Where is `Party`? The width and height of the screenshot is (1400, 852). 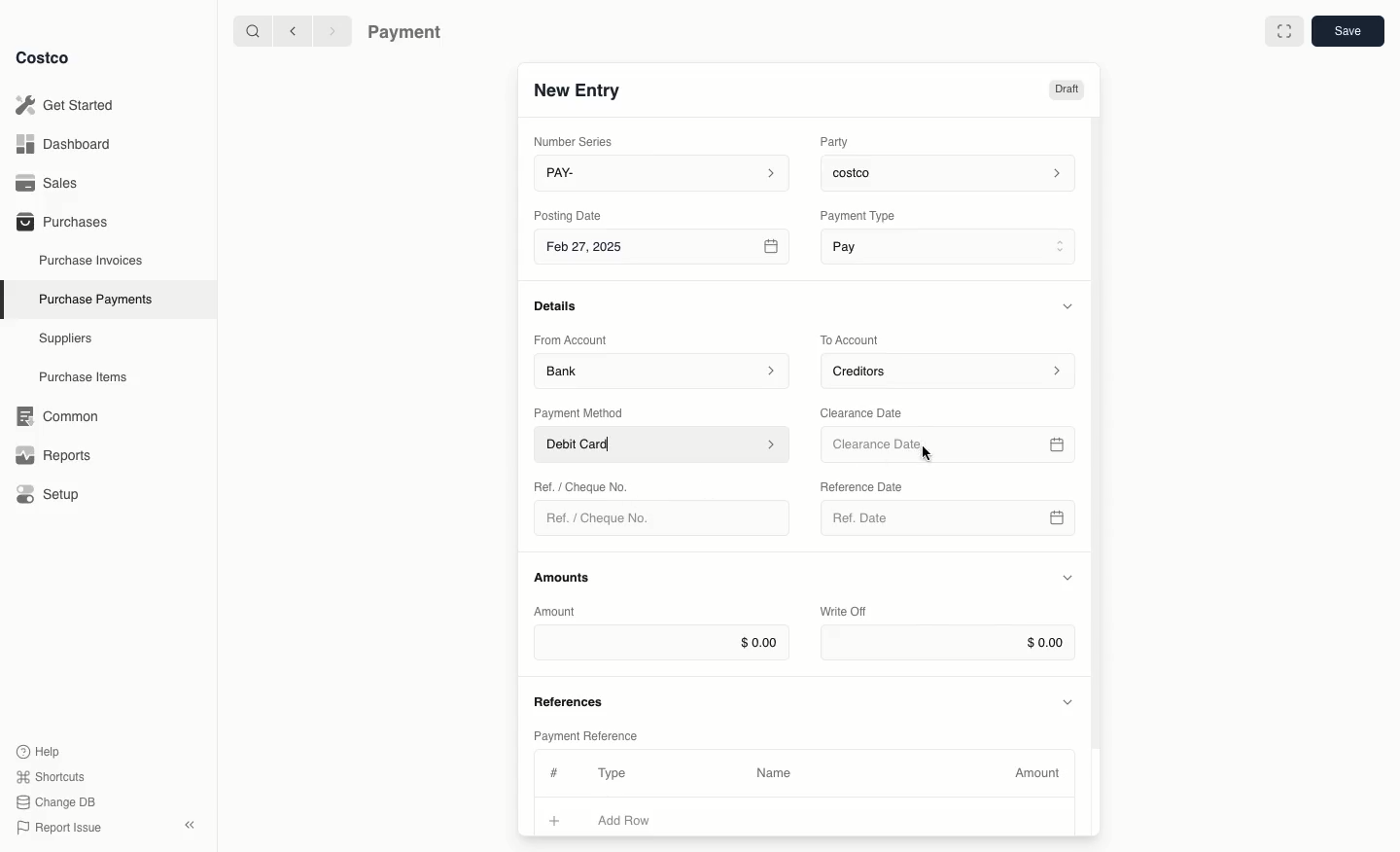
Party is located at coordinates (838, 141).